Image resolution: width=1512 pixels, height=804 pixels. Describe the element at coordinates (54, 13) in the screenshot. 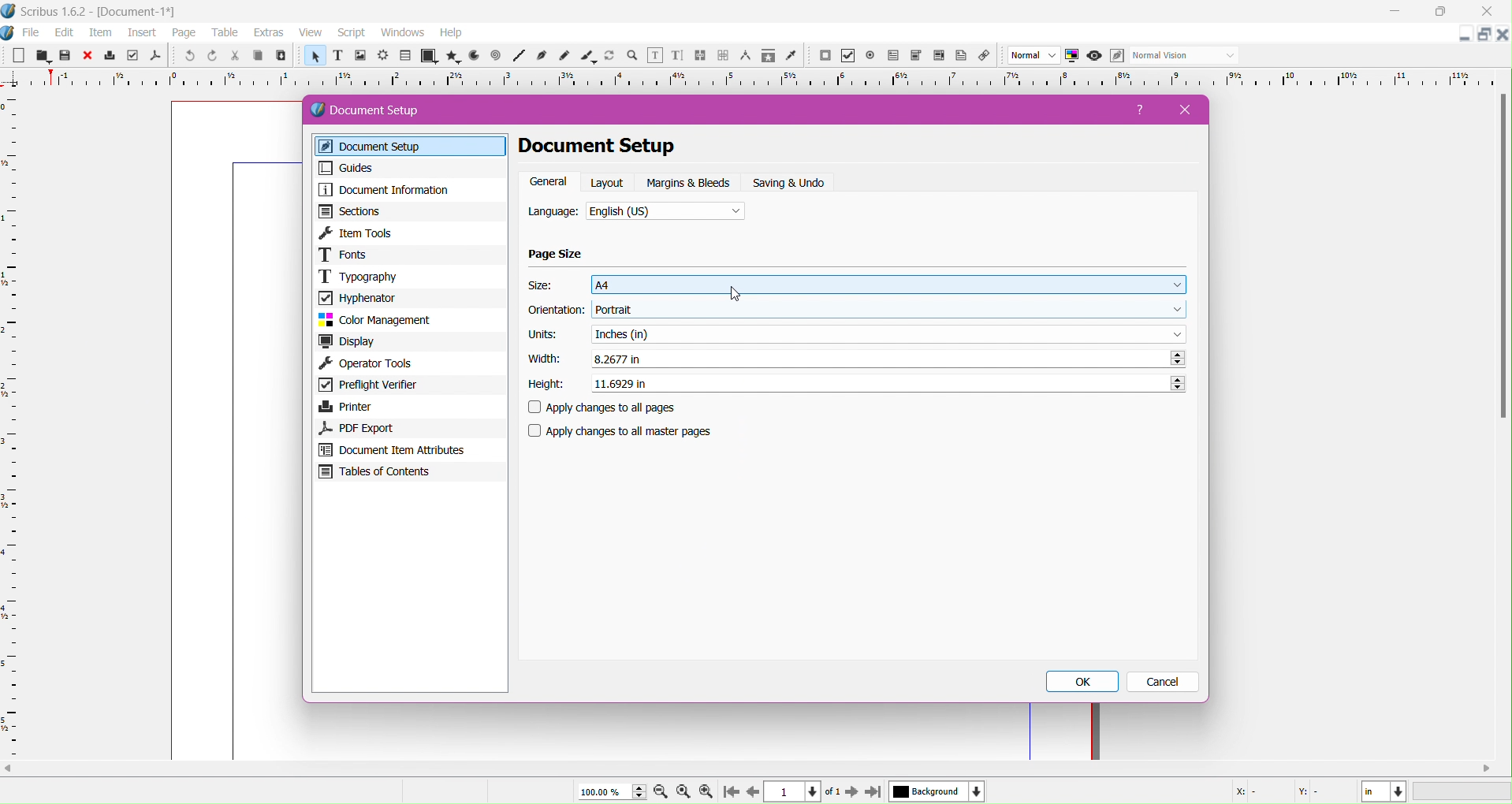

I see `app name` at that location.